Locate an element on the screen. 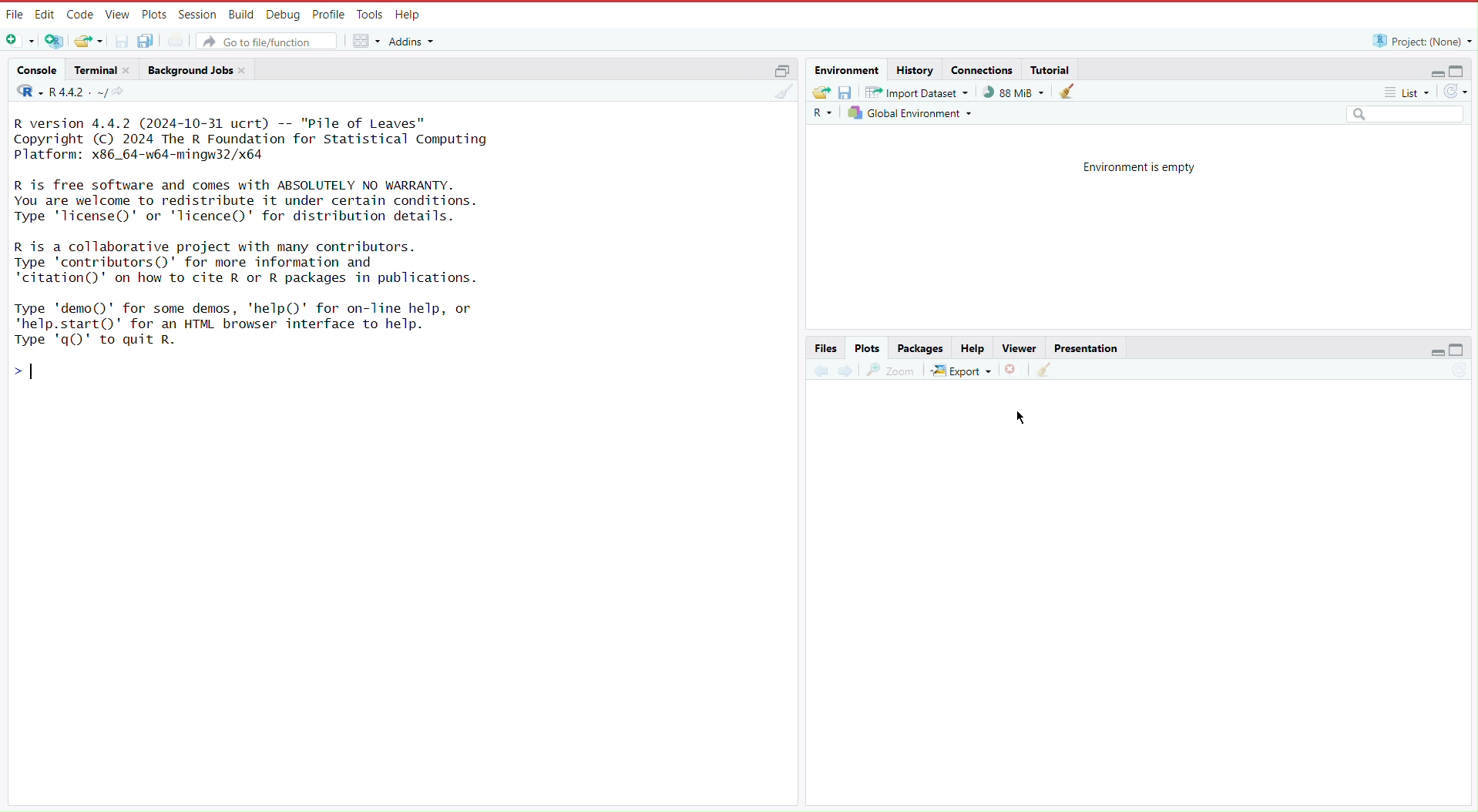 The image size is (1478, 812). Debug is located at coordinates (281, 14).